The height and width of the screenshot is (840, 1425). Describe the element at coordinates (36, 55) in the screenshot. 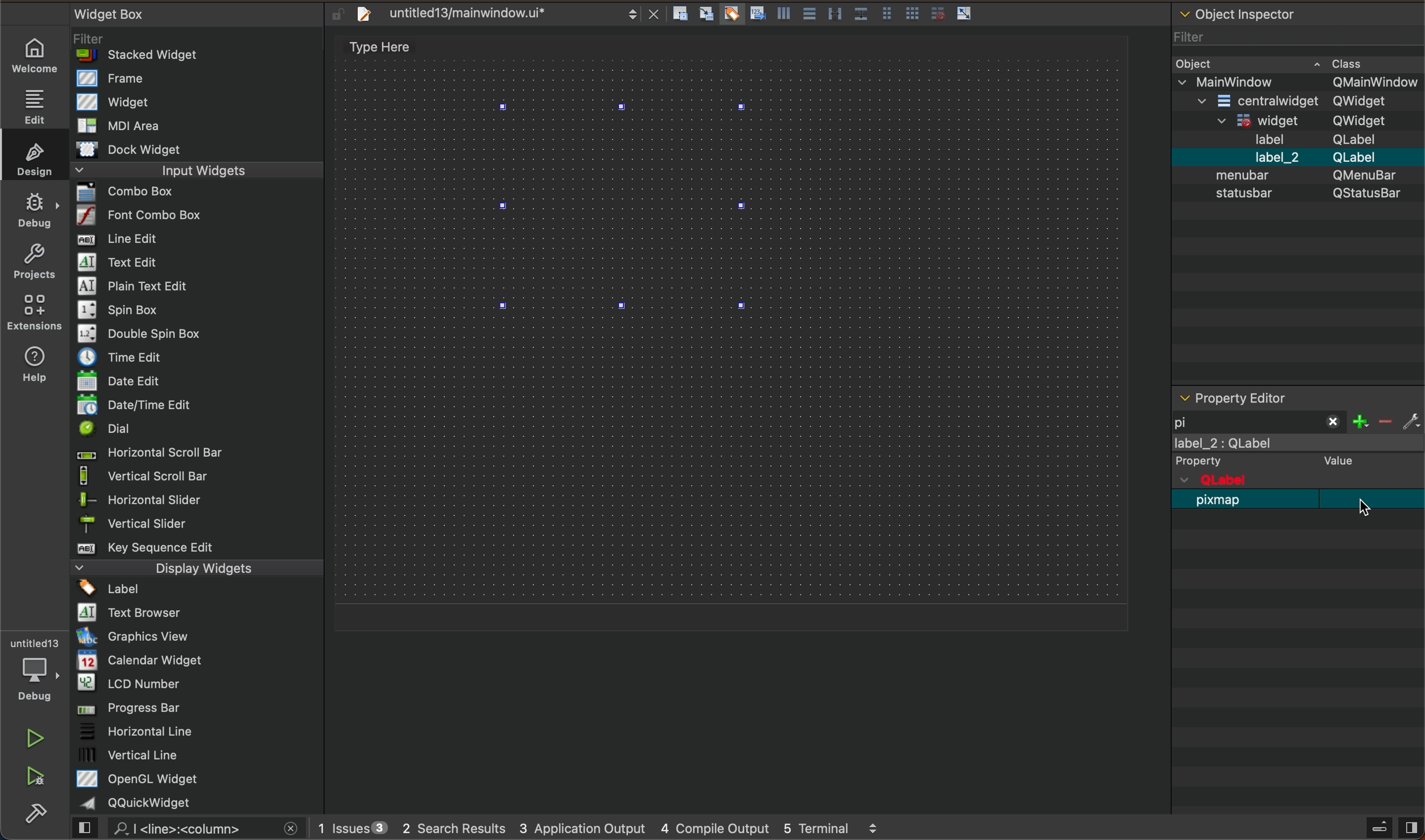

I see `welcome` at that location.